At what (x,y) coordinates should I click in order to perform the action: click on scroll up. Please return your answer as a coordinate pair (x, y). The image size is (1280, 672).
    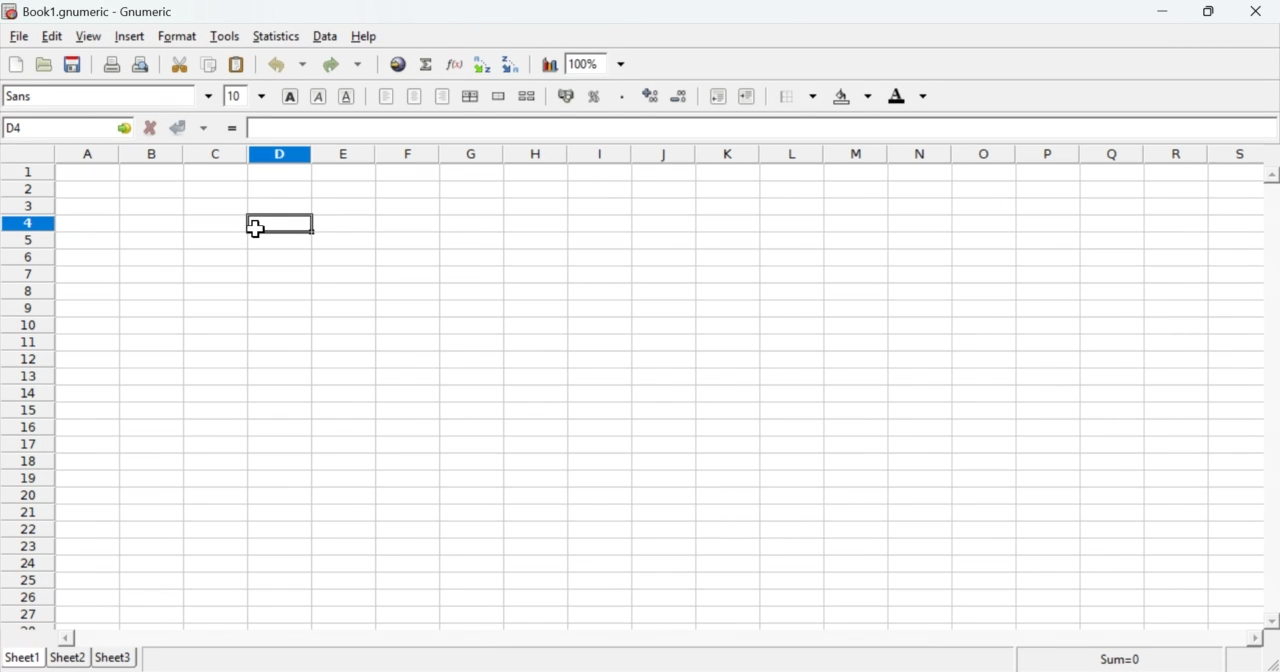
    Looking at the image, I should click on (1272, 174).